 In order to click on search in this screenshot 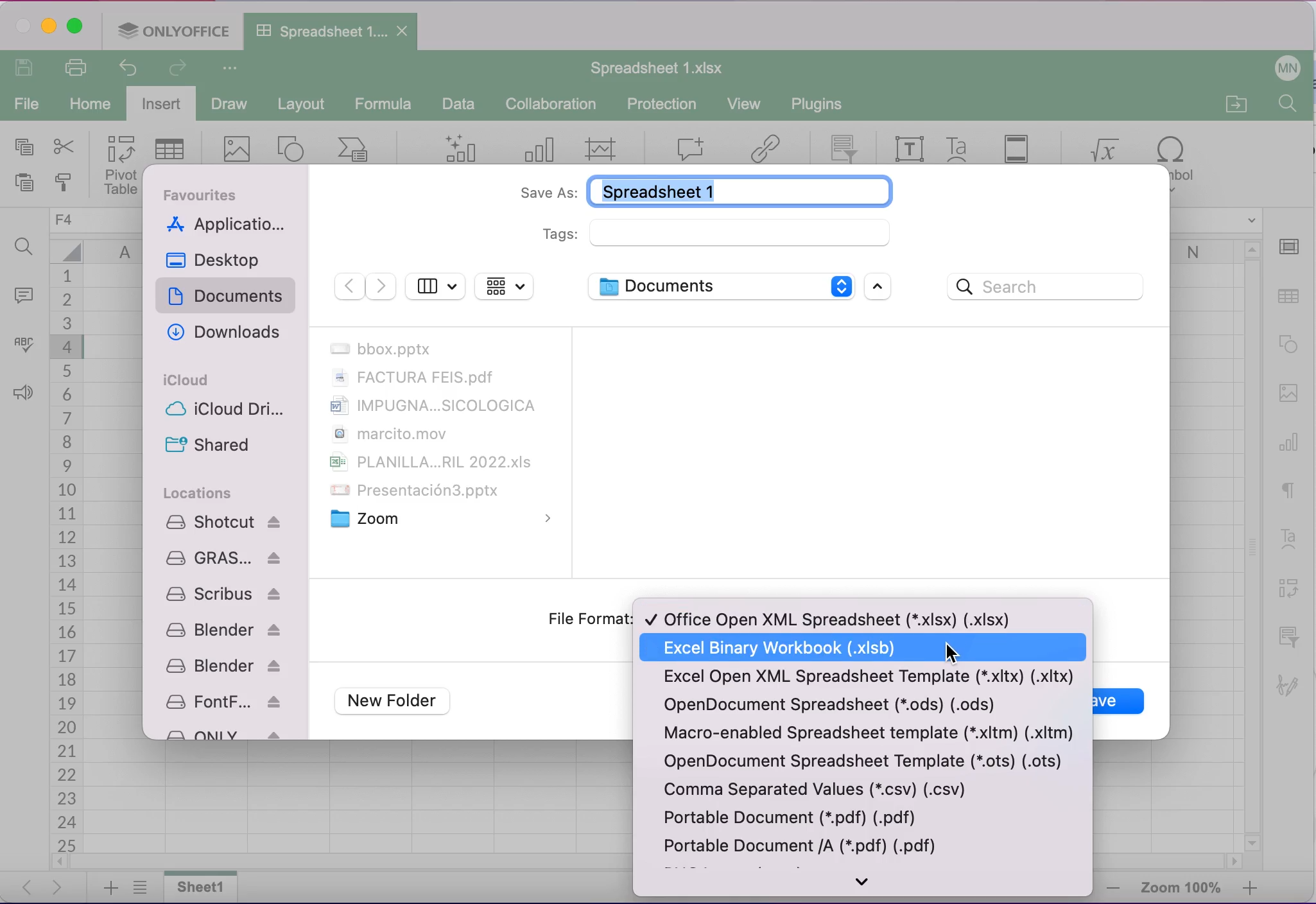, I will do `click(1050, 288)`.